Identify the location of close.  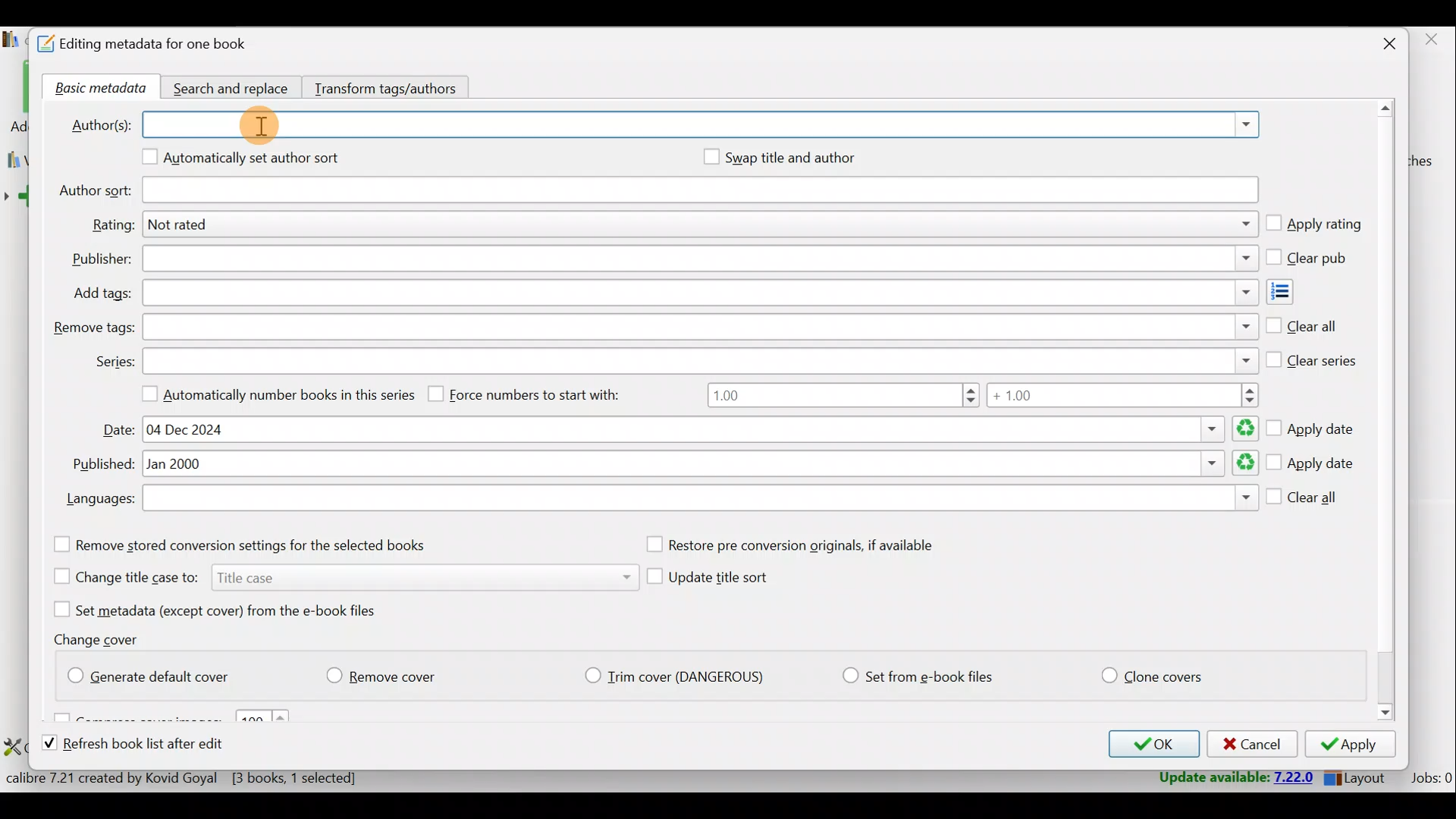
(1434, 41).